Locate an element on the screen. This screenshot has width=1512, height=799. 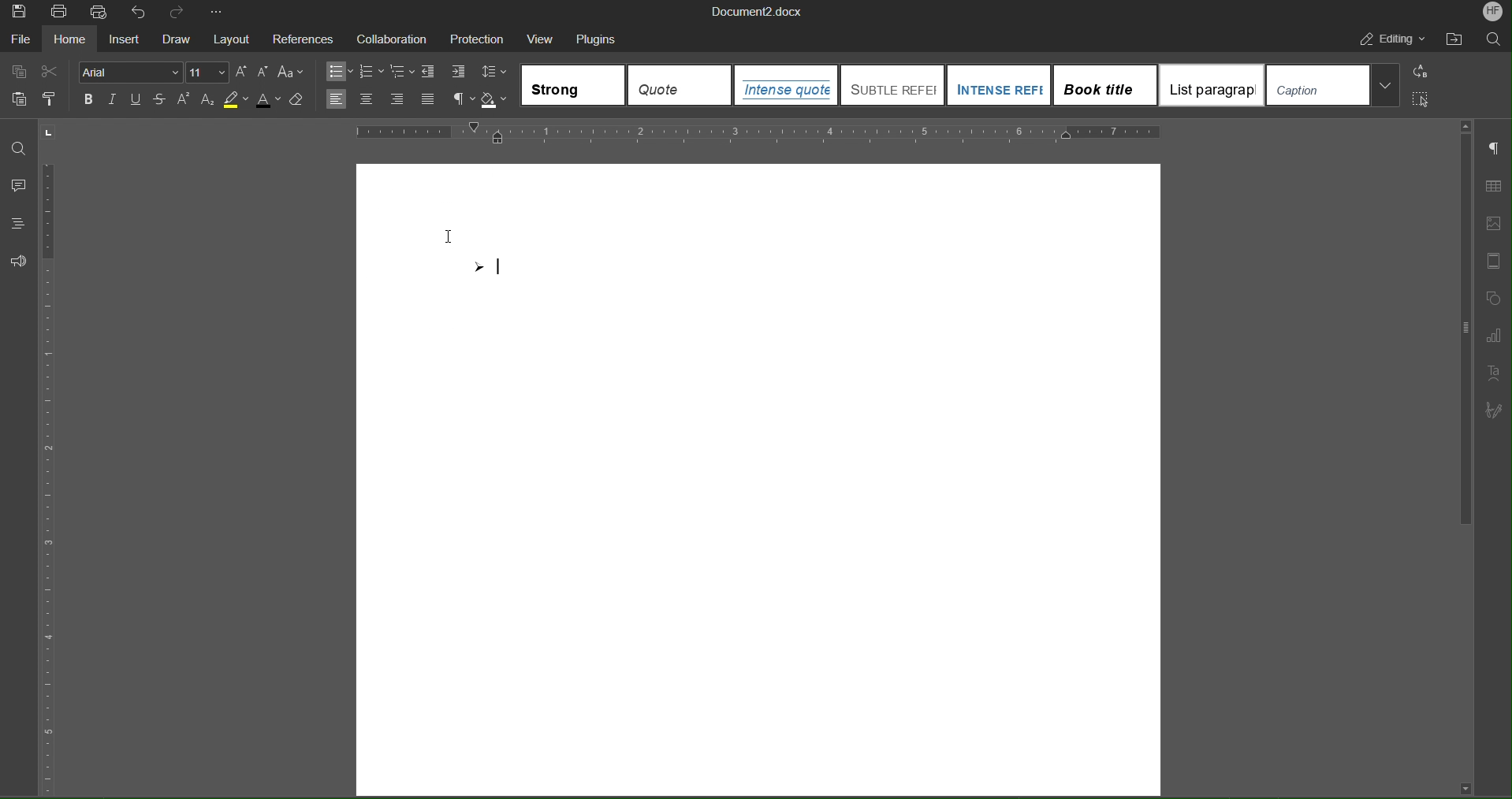
Nonprinting characters is located at coordinates (464, 96).